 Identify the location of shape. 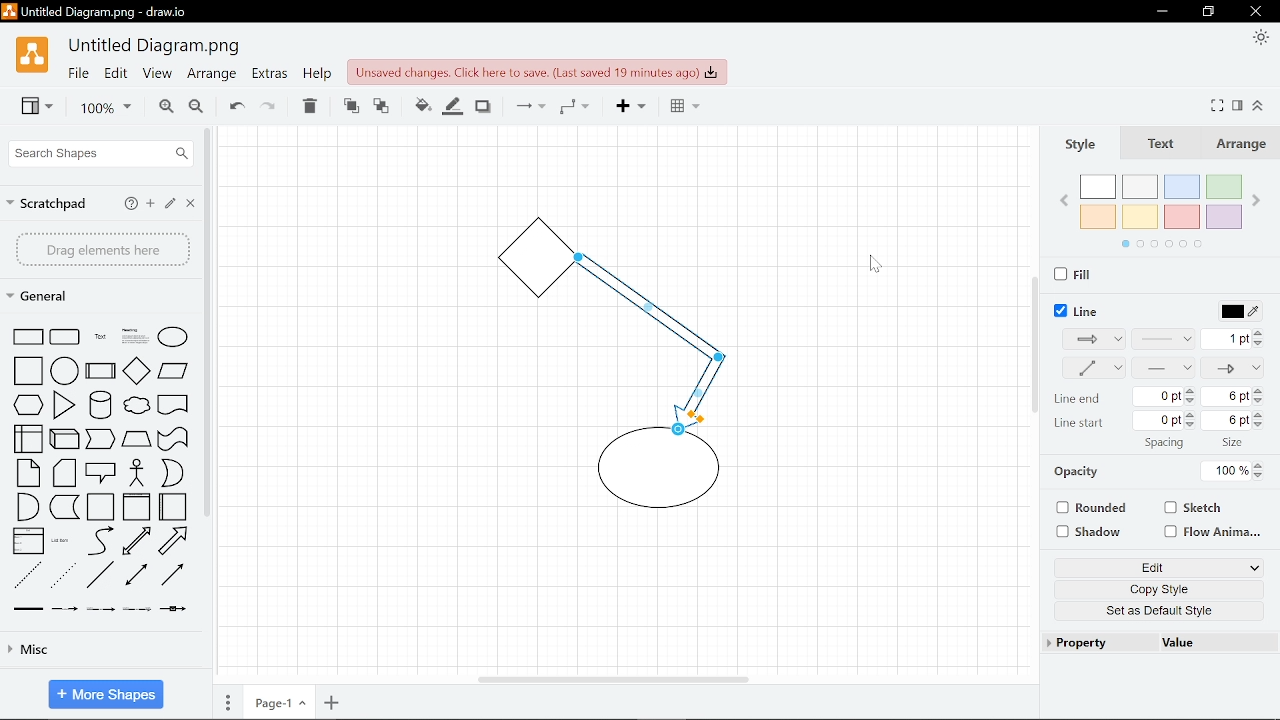
(140, 408).